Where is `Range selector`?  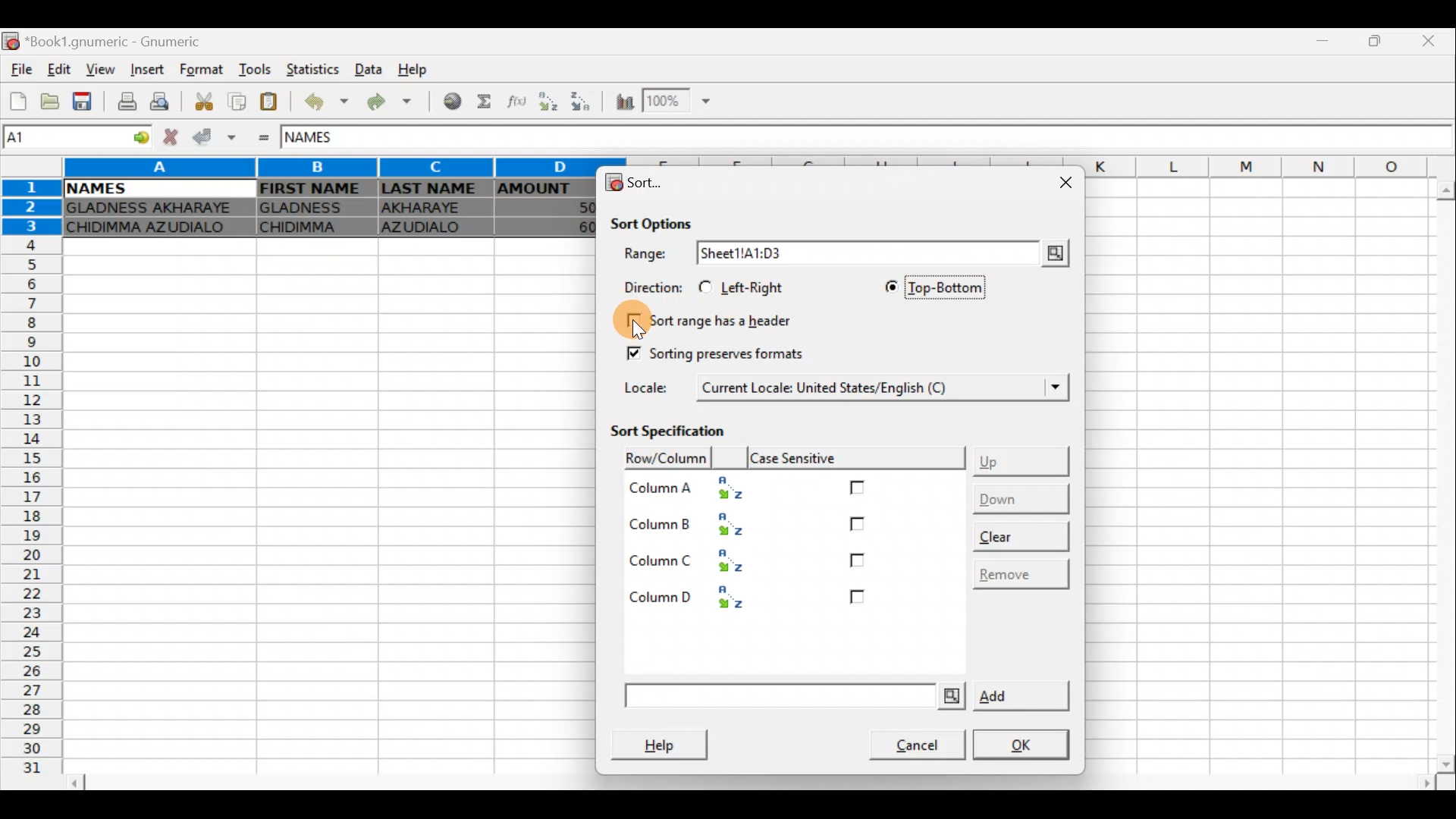 Range selector is located at coordinates (1053, 253).